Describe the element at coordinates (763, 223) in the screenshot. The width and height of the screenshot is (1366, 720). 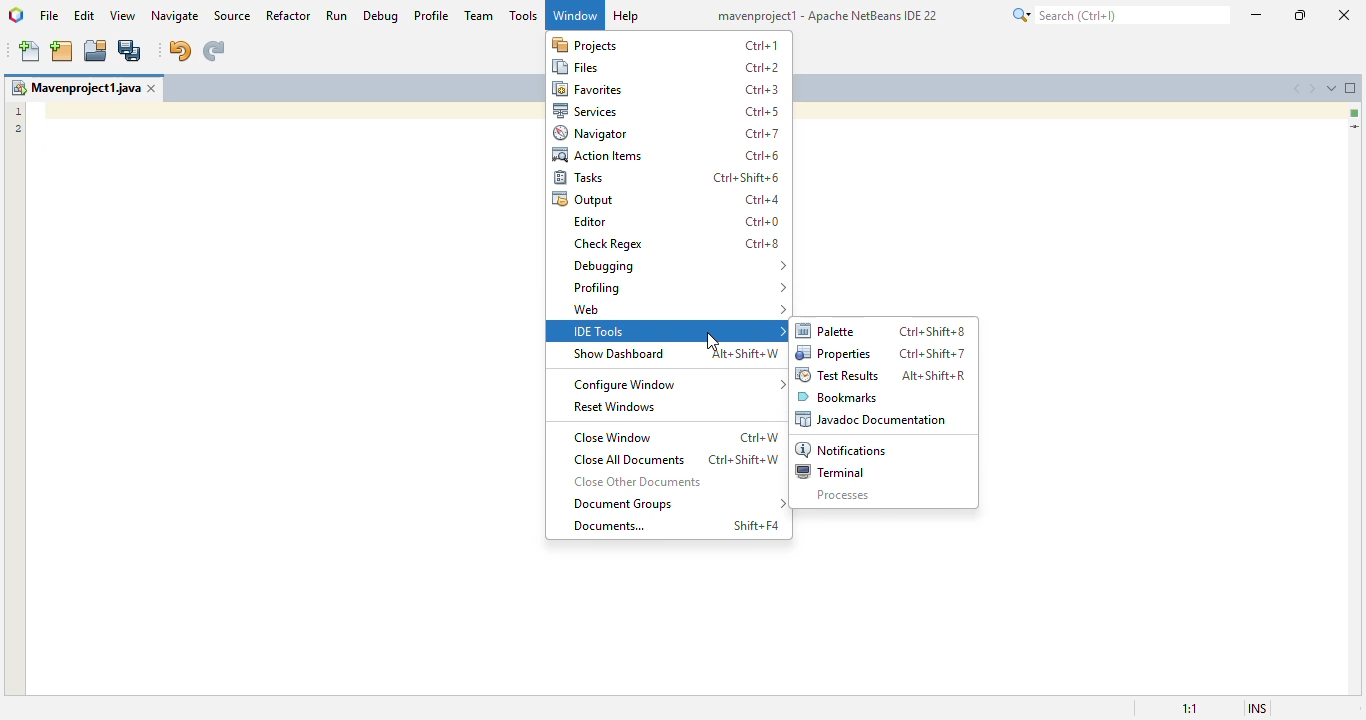
I see `shortcut for editor` at that location.